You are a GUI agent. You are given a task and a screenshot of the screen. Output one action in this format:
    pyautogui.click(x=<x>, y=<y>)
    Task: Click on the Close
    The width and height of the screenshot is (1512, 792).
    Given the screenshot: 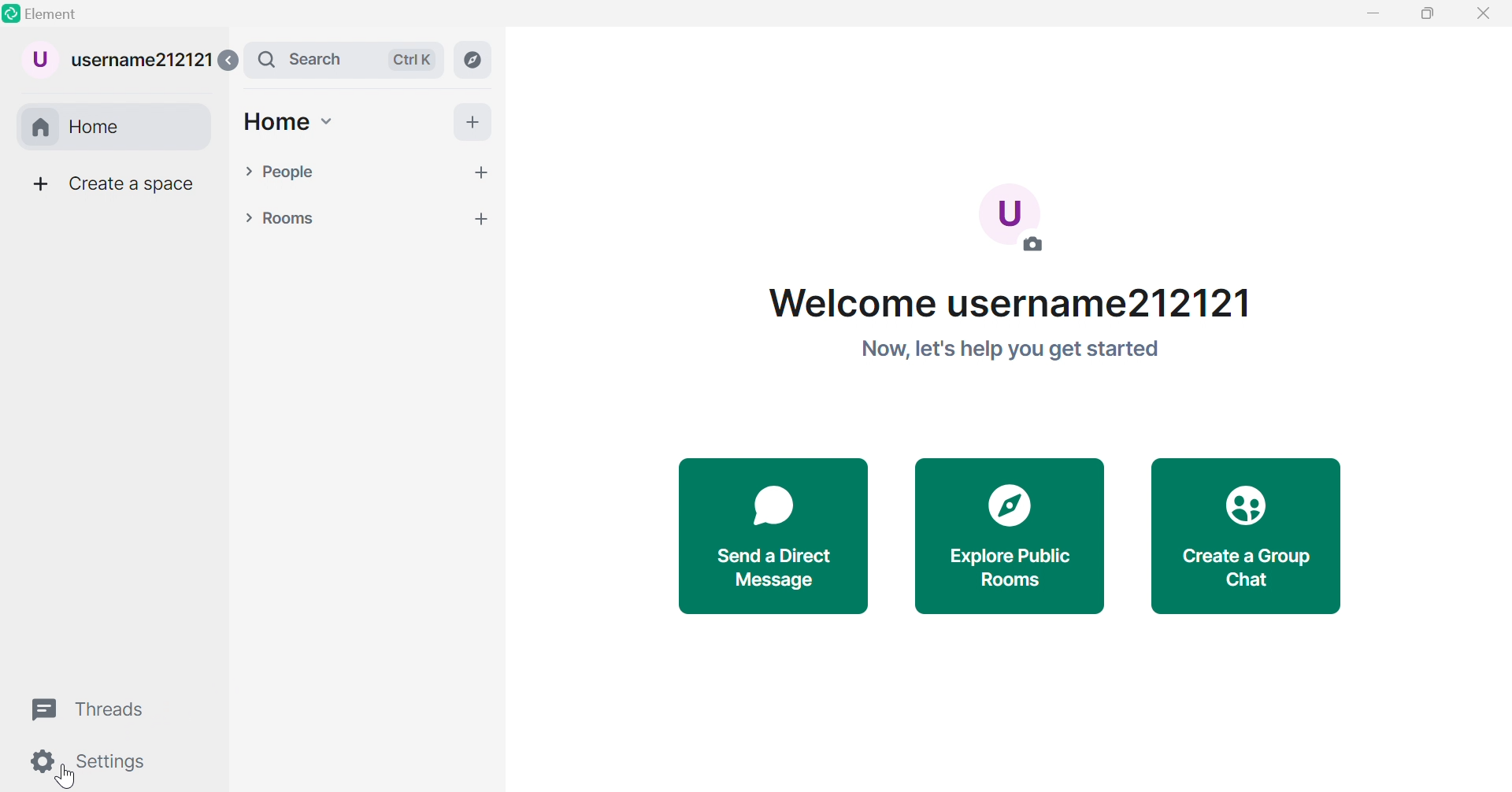 What is the action you would take?
    pyautogui.click(x=1480, y=17)
    